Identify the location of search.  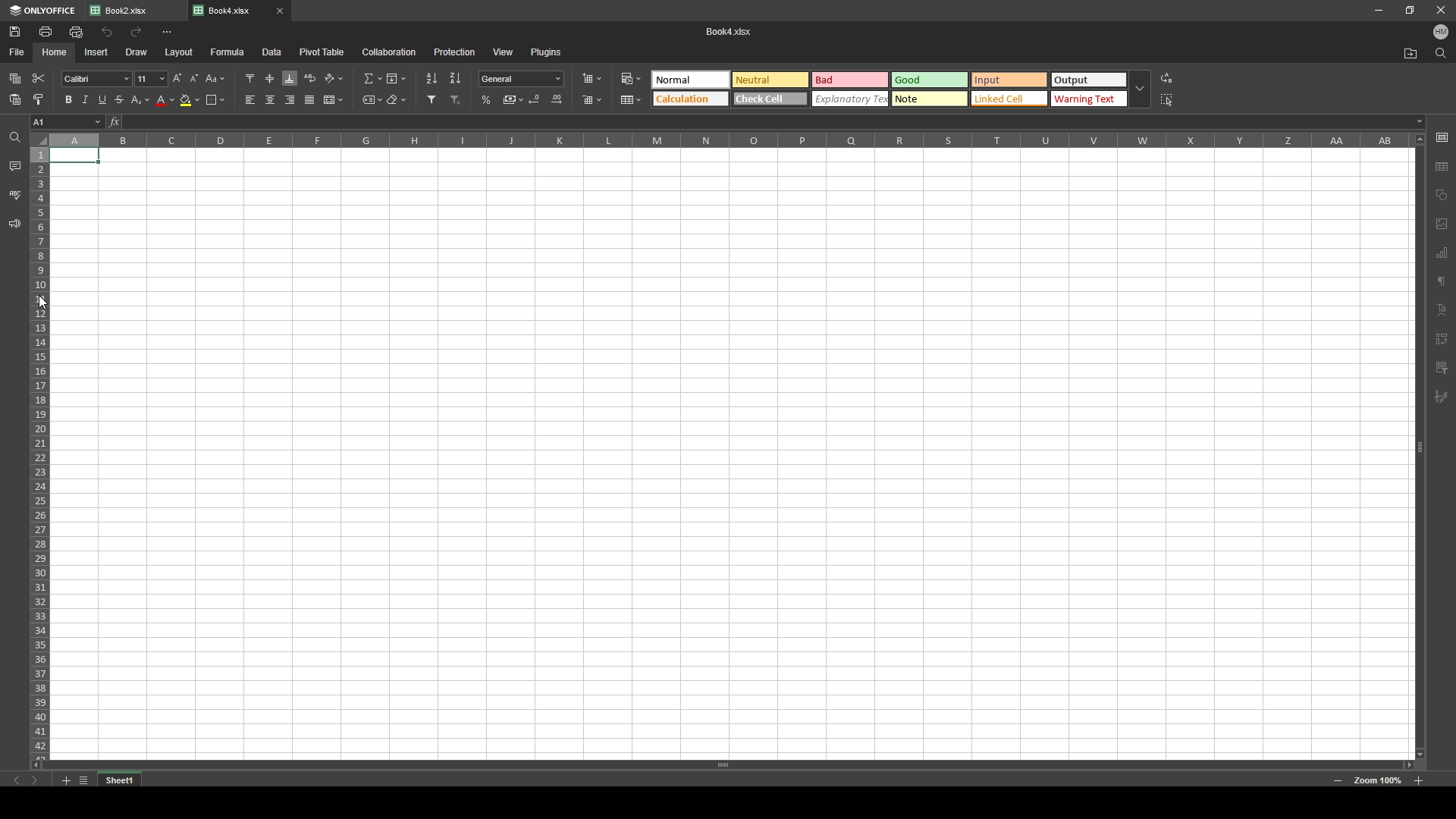
(1442, 54).